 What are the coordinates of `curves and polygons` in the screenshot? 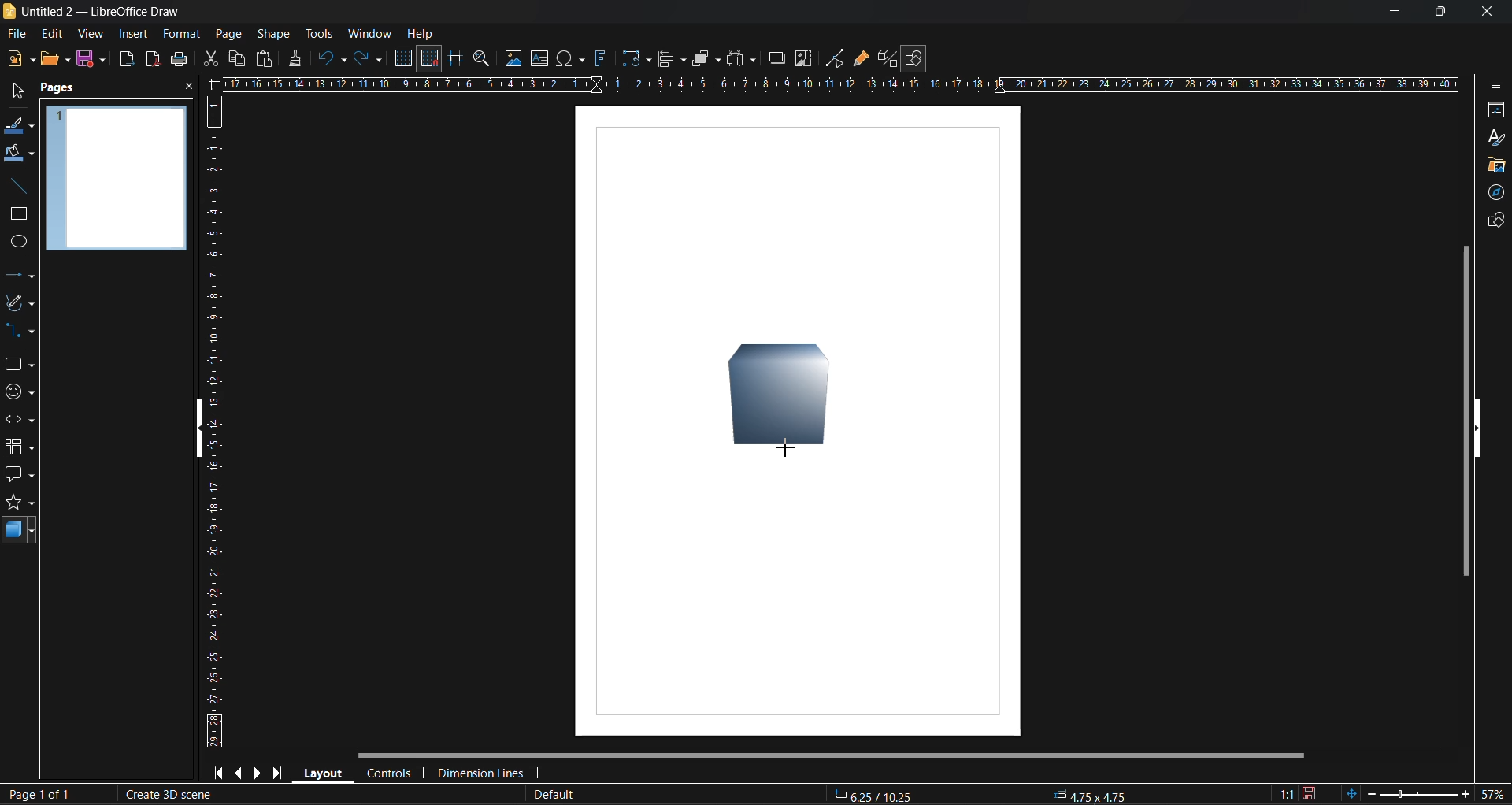 It's located at (18, 304).